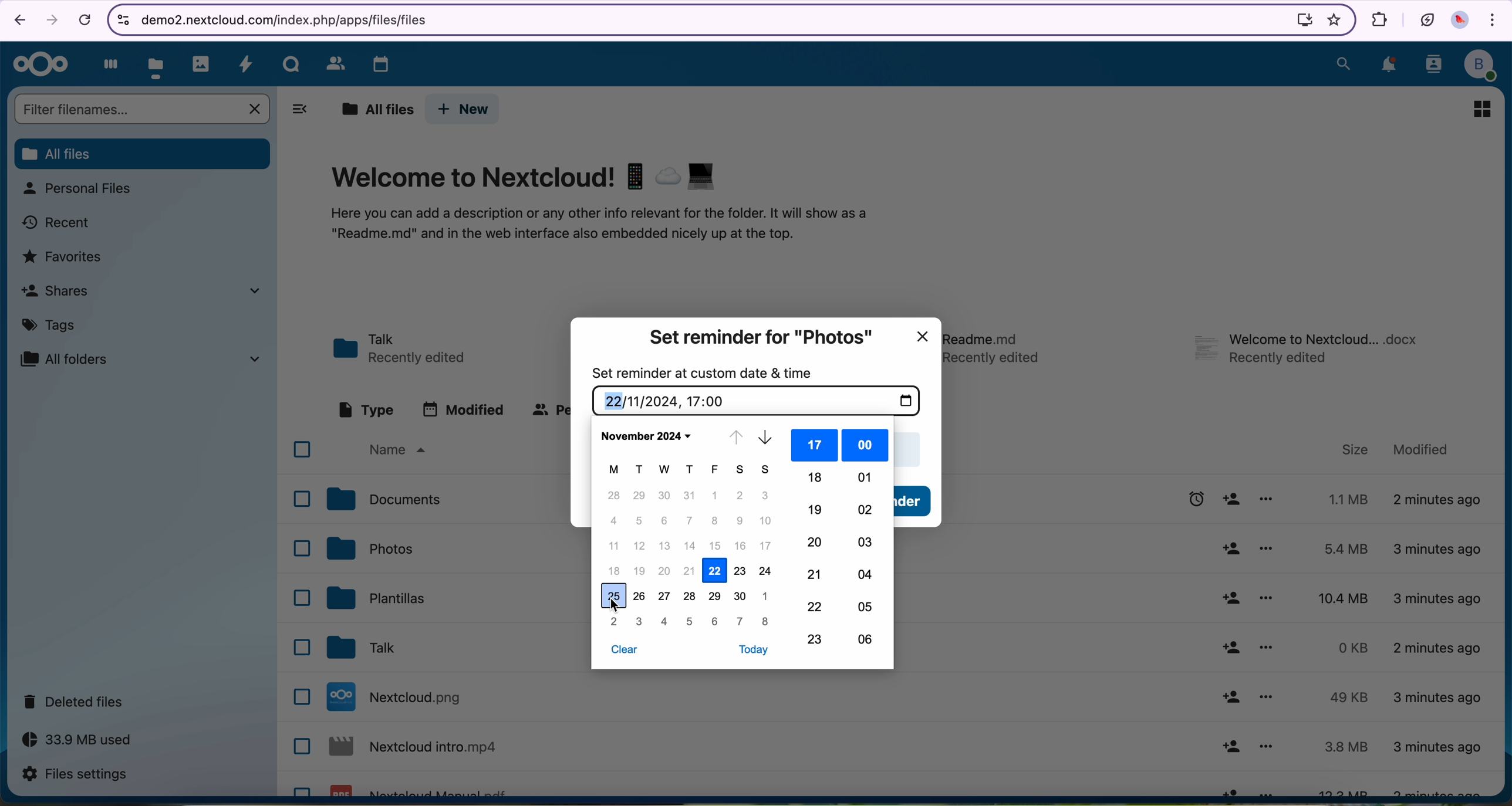  What do you see at coordinates (816, 541) in the screenshot?
I see `20` at bounding box center [816, 541].